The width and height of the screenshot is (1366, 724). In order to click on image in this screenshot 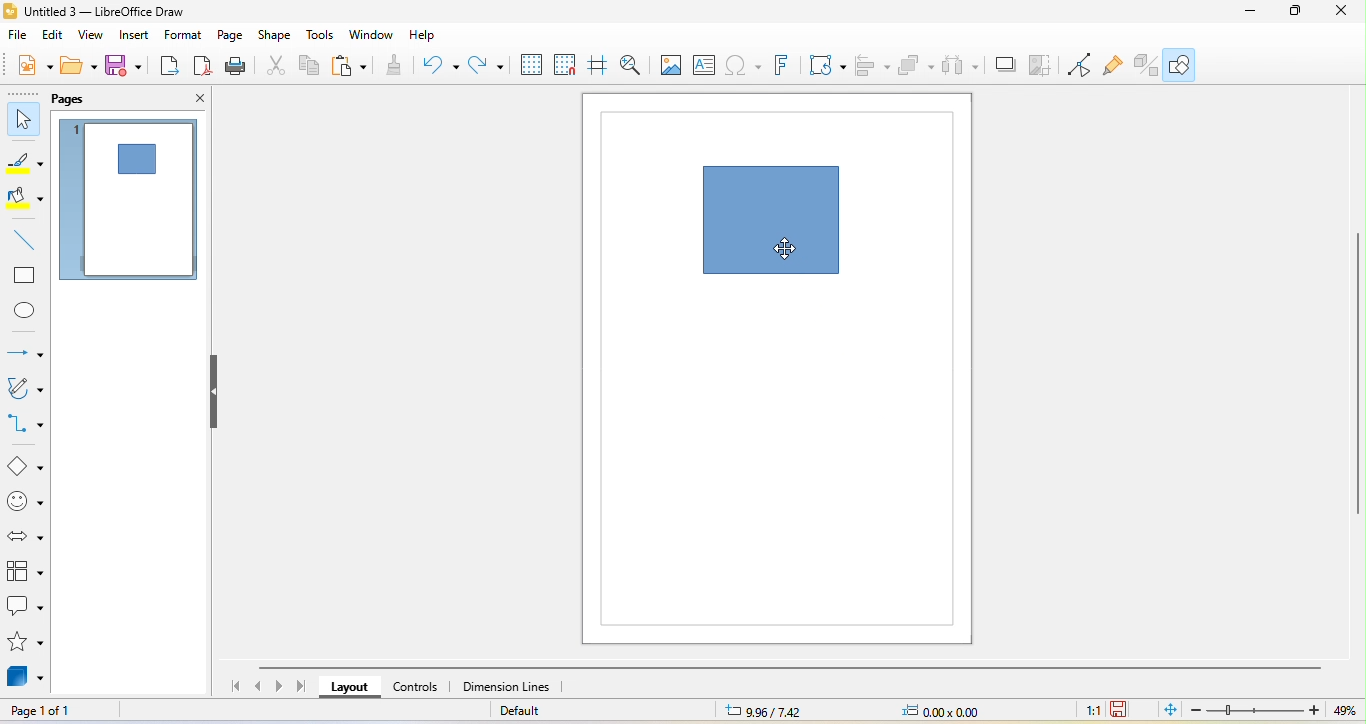, I will do `click(668, 66)`.